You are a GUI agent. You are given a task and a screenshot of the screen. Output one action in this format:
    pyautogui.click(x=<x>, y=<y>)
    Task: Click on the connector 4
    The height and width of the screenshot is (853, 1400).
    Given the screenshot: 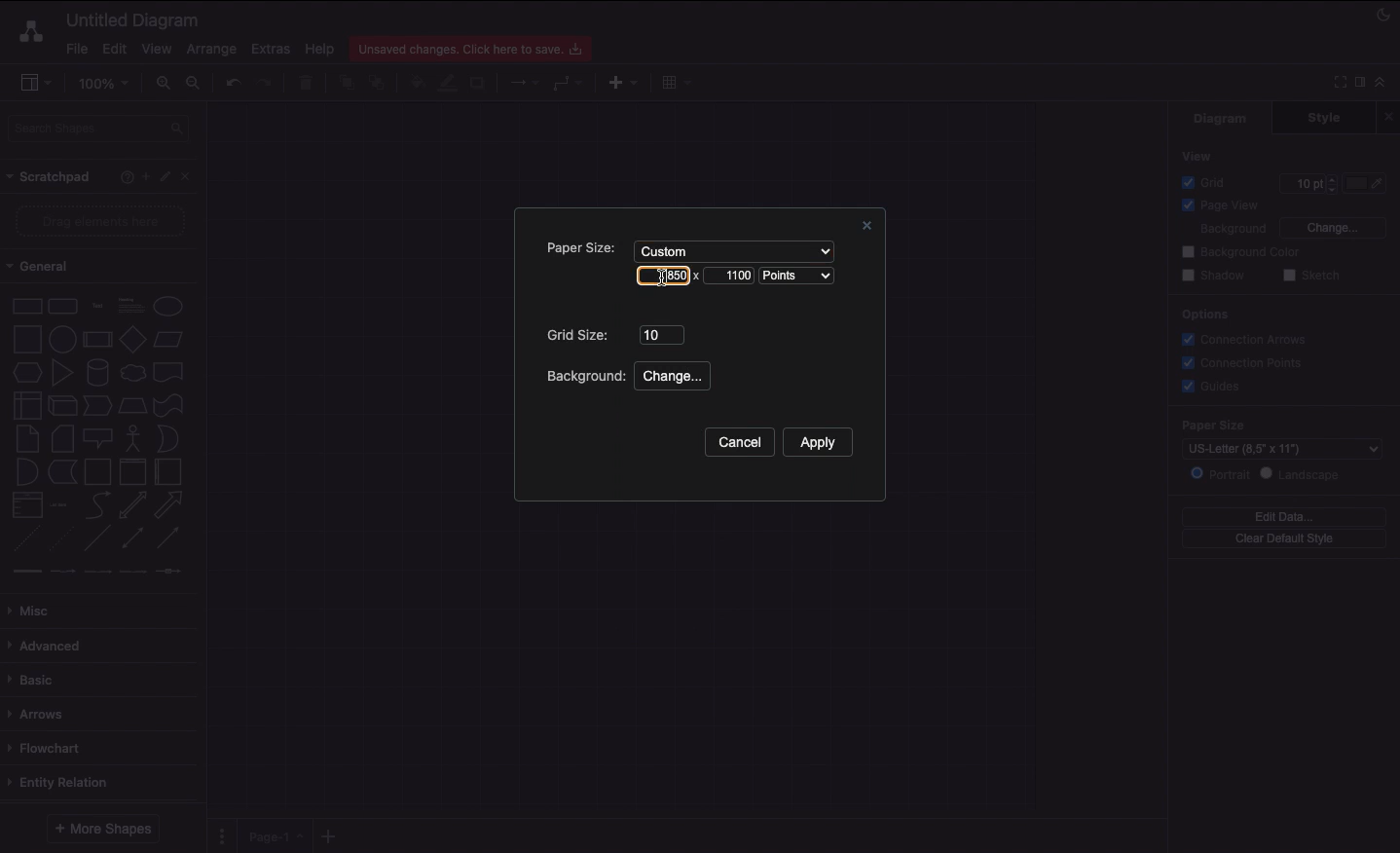 What is the action you would take?
    pyautogui.click(x=134, y=570)
    